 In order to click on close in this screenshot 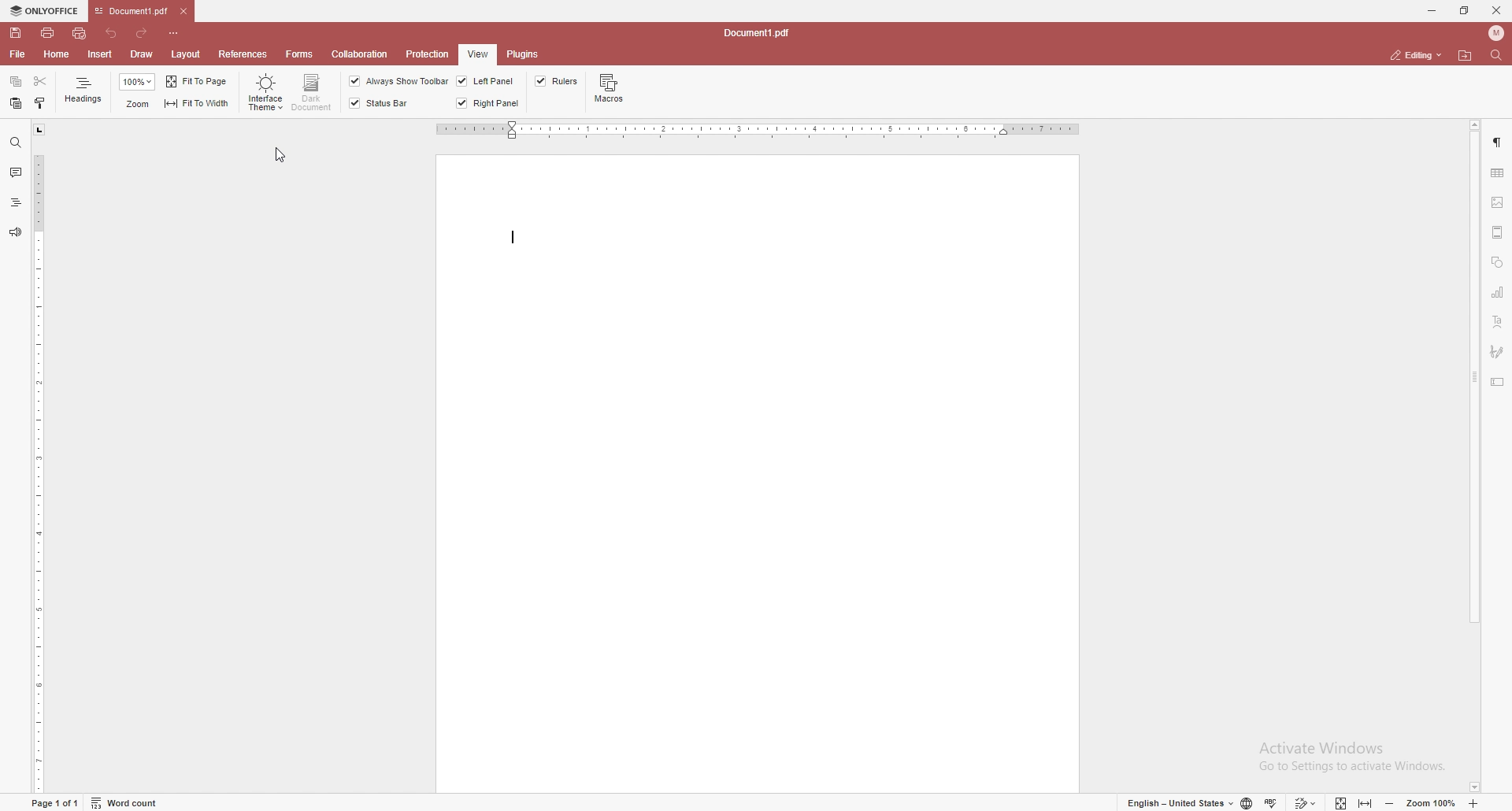, I will do `click(1492, 11)`.